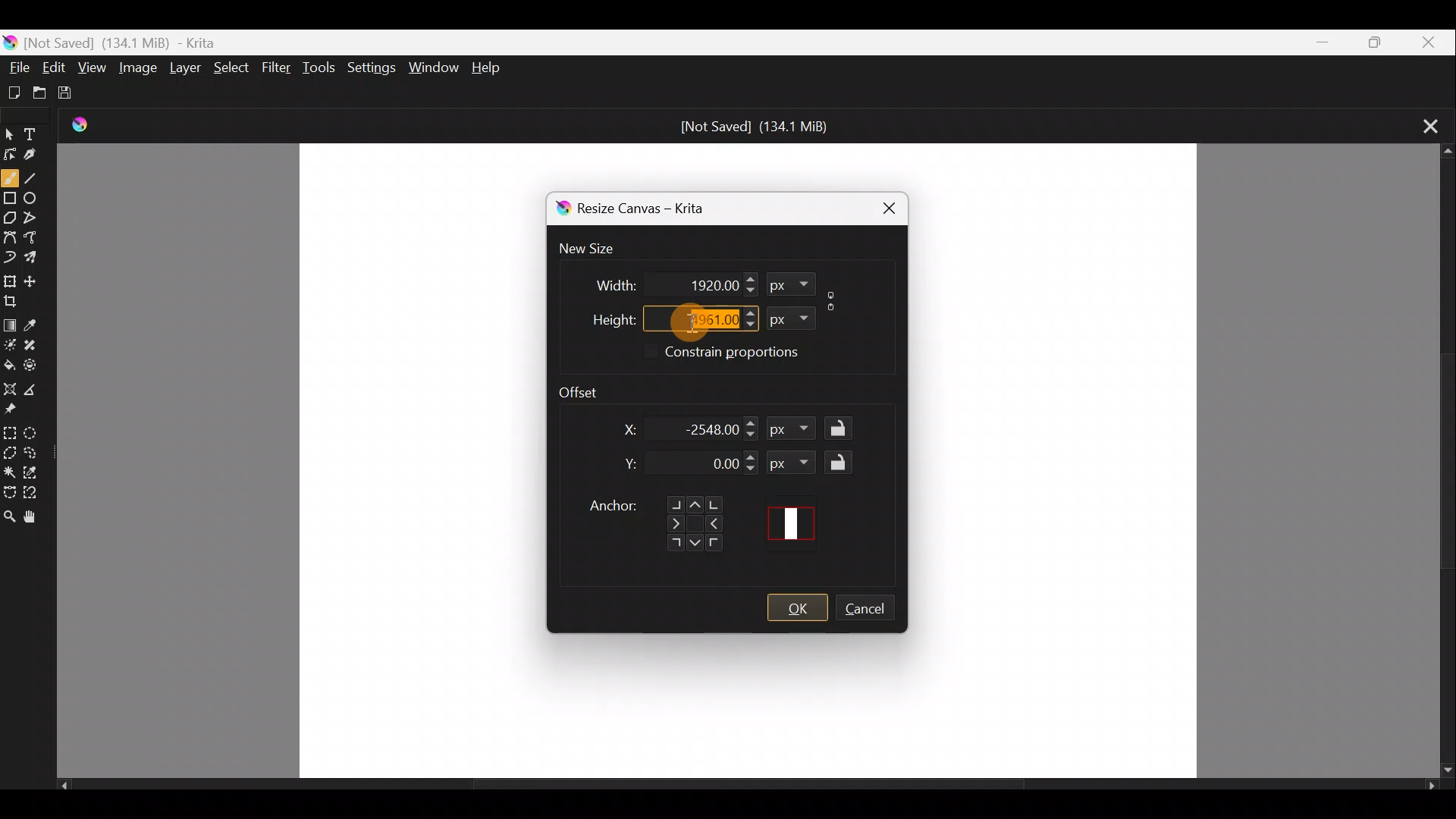 The image size is (1456, 819). Describe the element at coordinates (40, 156) in the screenshot. I see `Calligraphy` at that location.